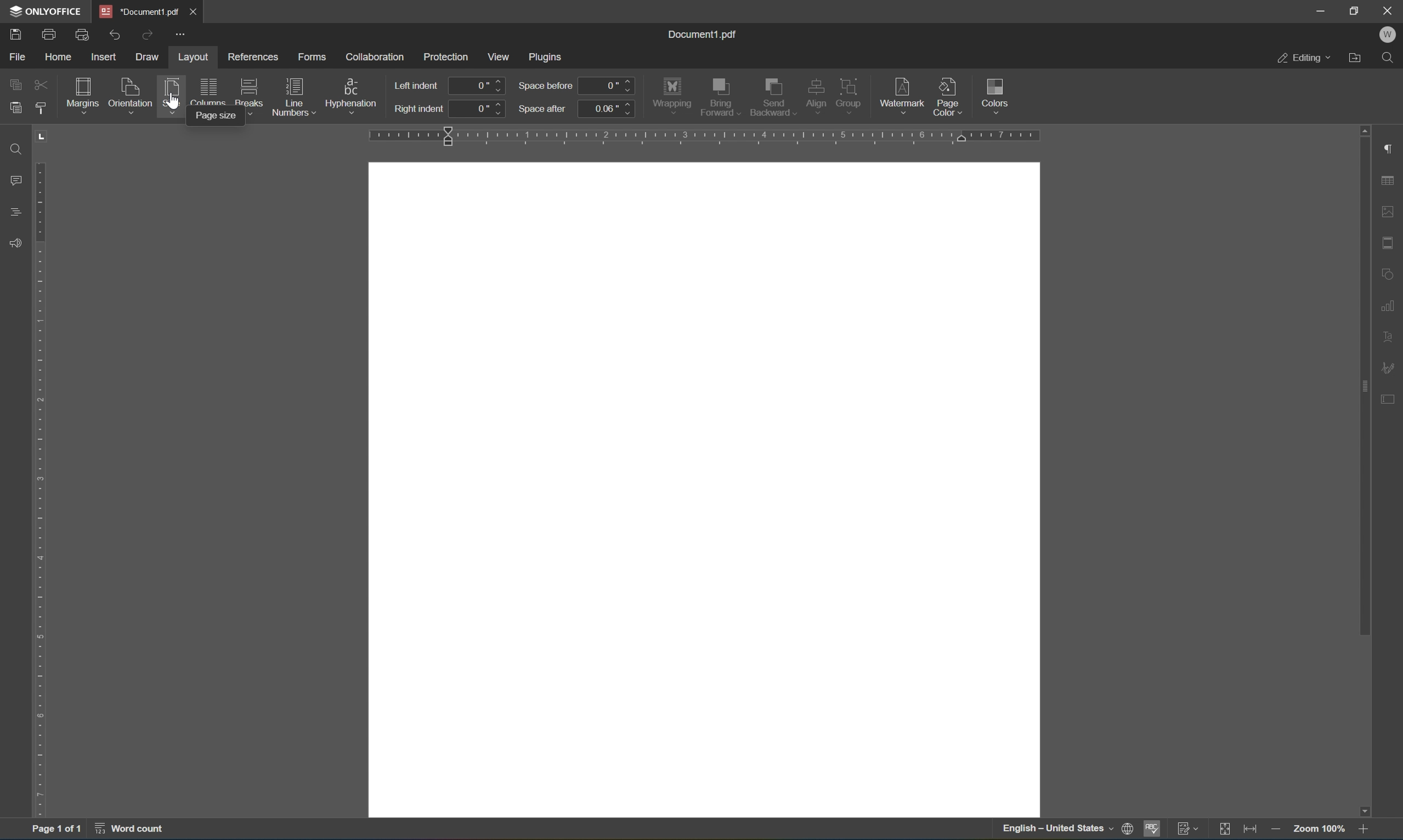 The image size is (1403, 840). What do you see at coordinates (1362, 830) in the screenshot?
I see `zoom in` at bounding box center [1362, 830].